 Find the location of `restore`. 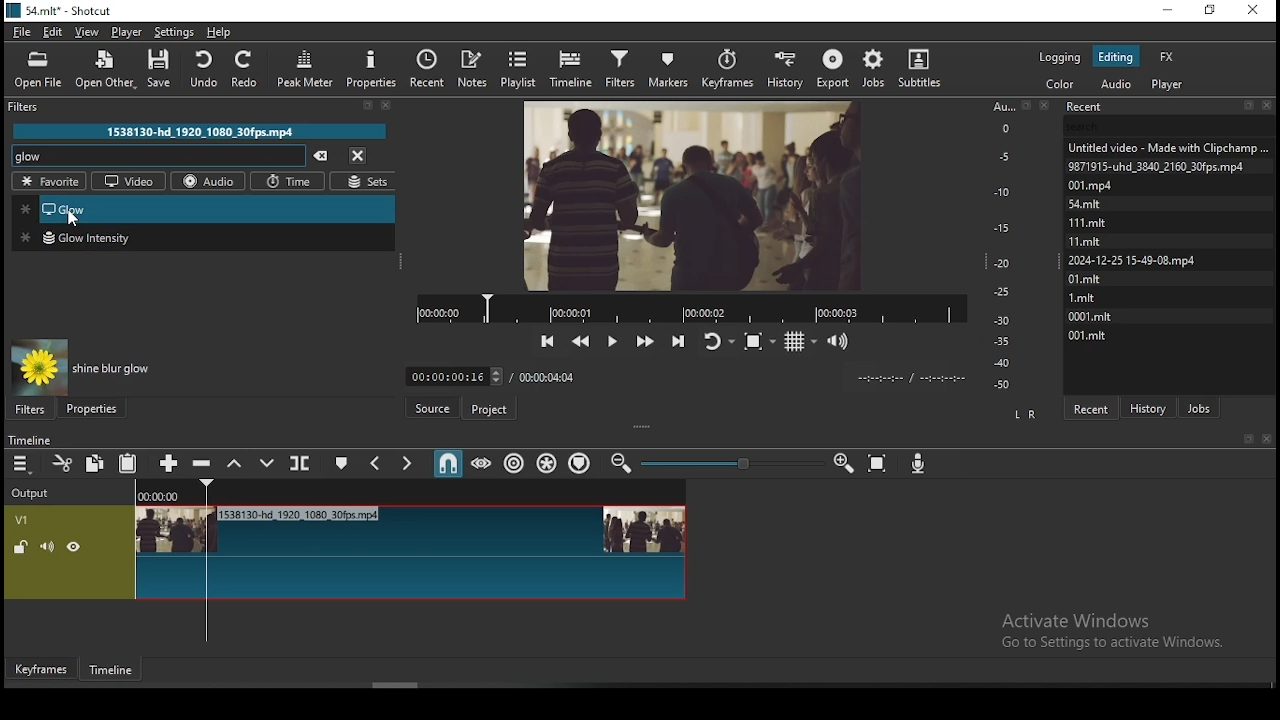

restore is located at coordinates (1212, 13).